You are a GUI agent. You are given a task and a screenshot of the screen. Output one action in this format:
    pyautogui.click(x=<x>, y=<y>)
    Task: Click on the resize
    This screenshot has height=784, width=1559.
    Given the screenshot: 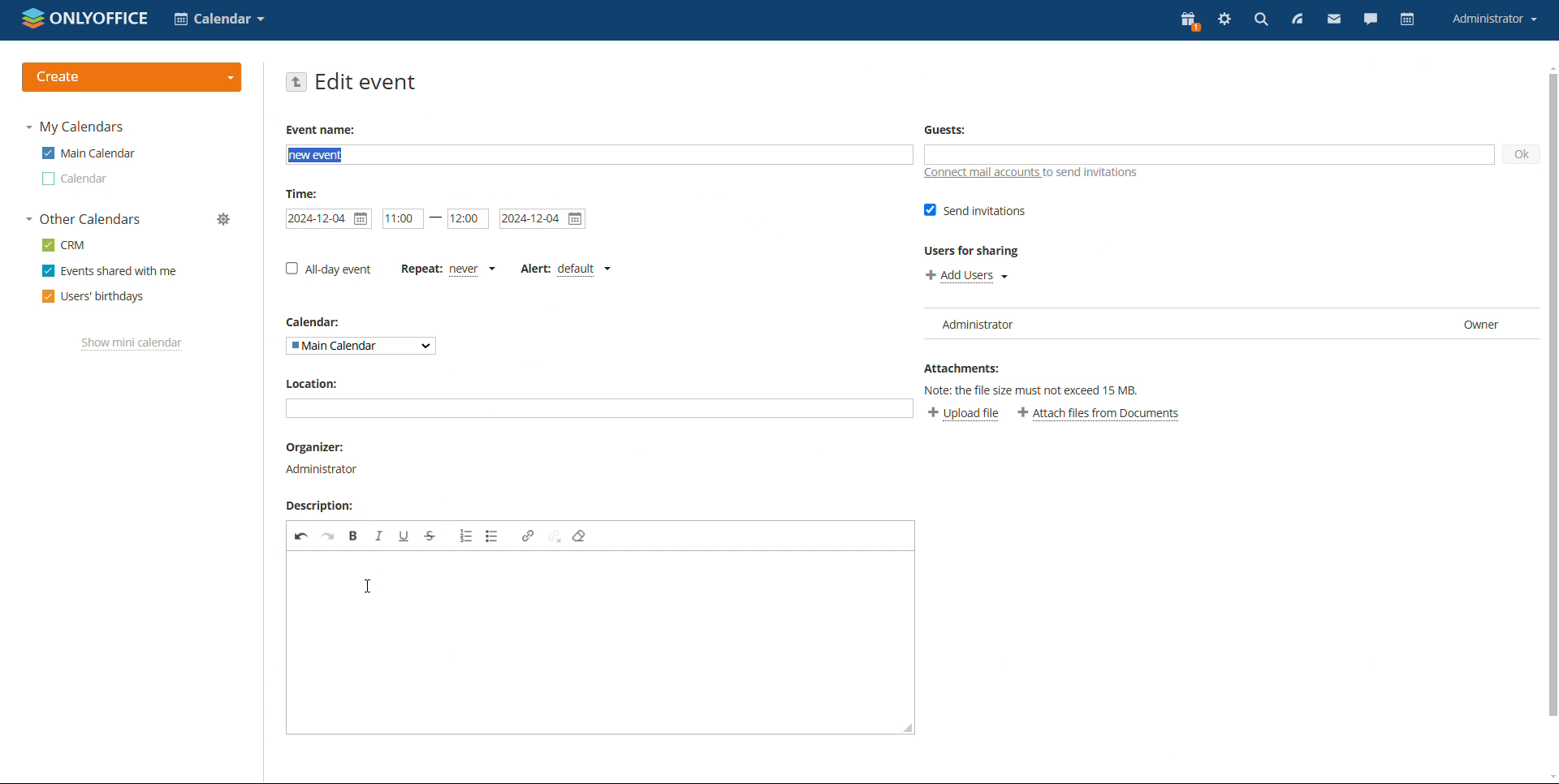 What is the action you would take?
    pyautogui.click(x=906, y=727)
    